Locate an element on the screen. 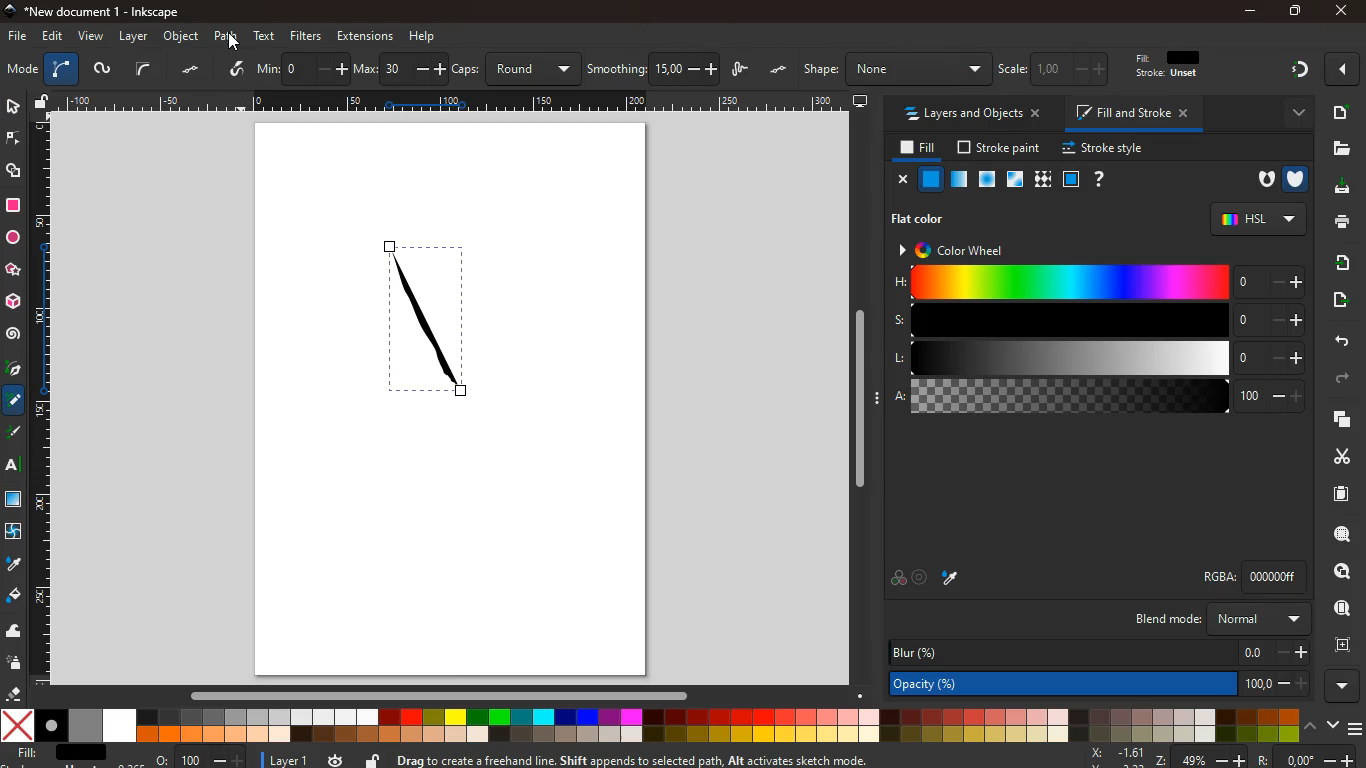 The image size is (1366, 768). more is located at coordinates (1345, 69).